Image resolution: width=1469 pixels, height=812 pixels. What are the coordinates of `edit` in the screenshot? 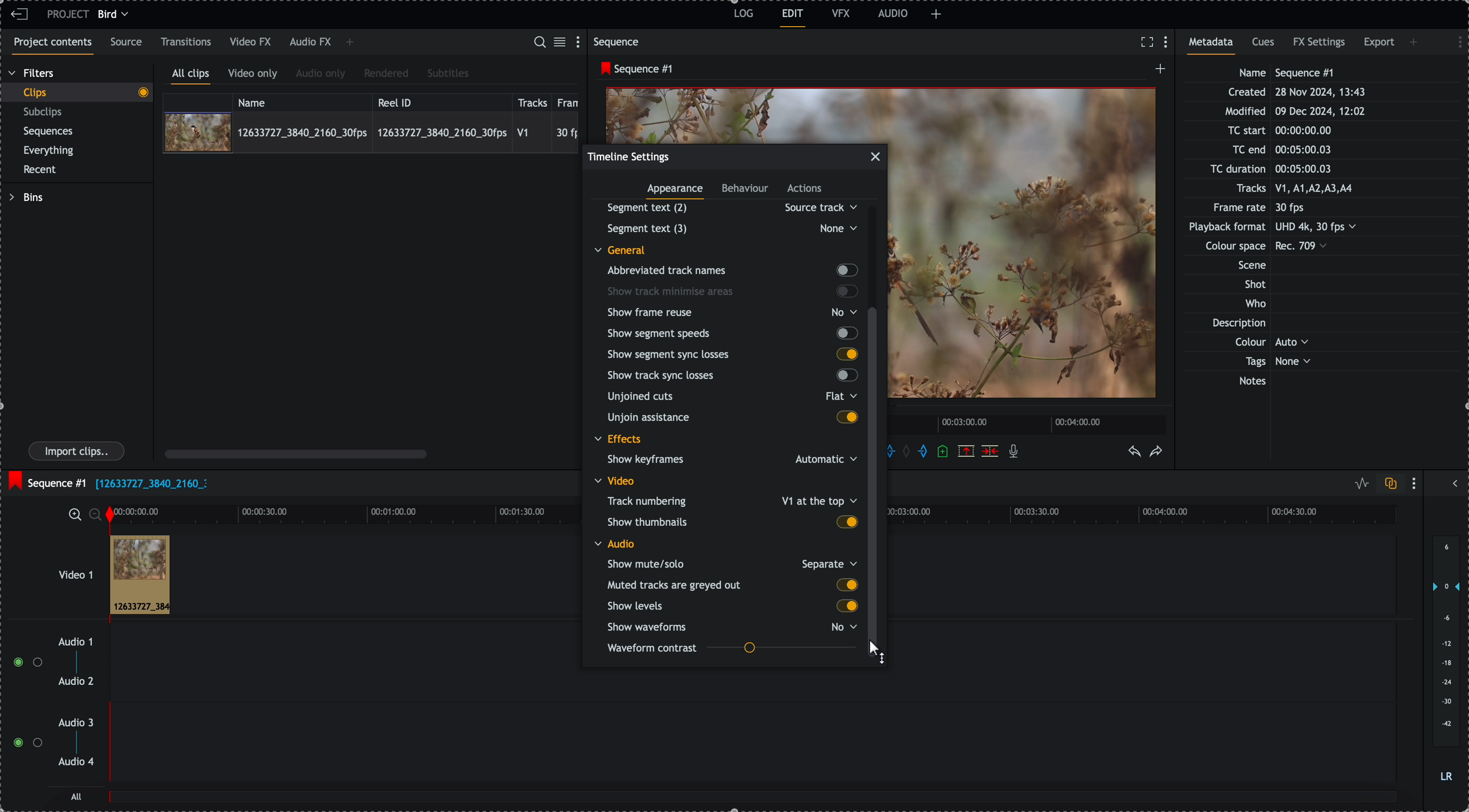 It's located at (793, 18).